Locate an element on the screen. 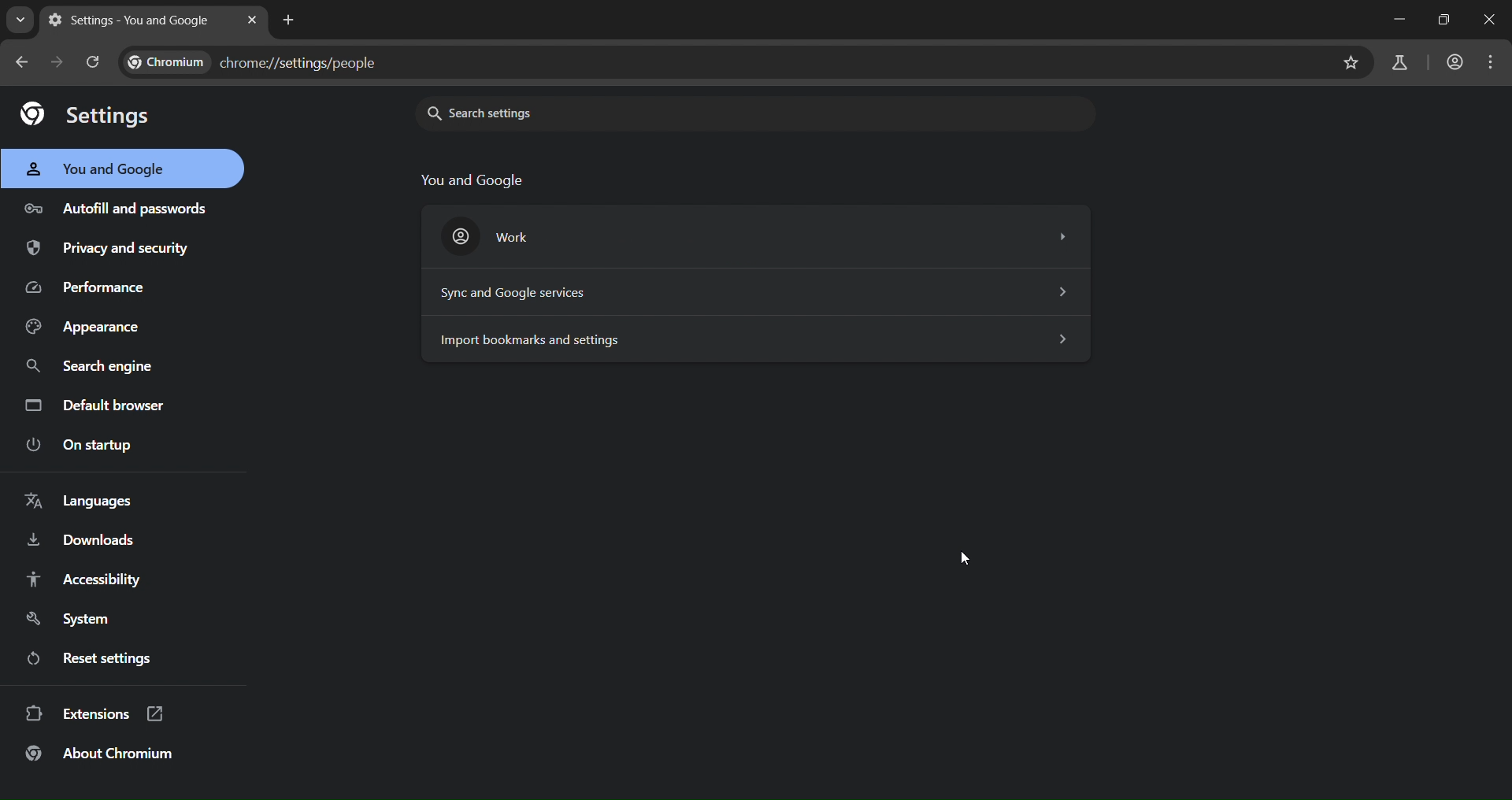 The image size is (1512, 800). current tab is located at coordinates (132, 20).